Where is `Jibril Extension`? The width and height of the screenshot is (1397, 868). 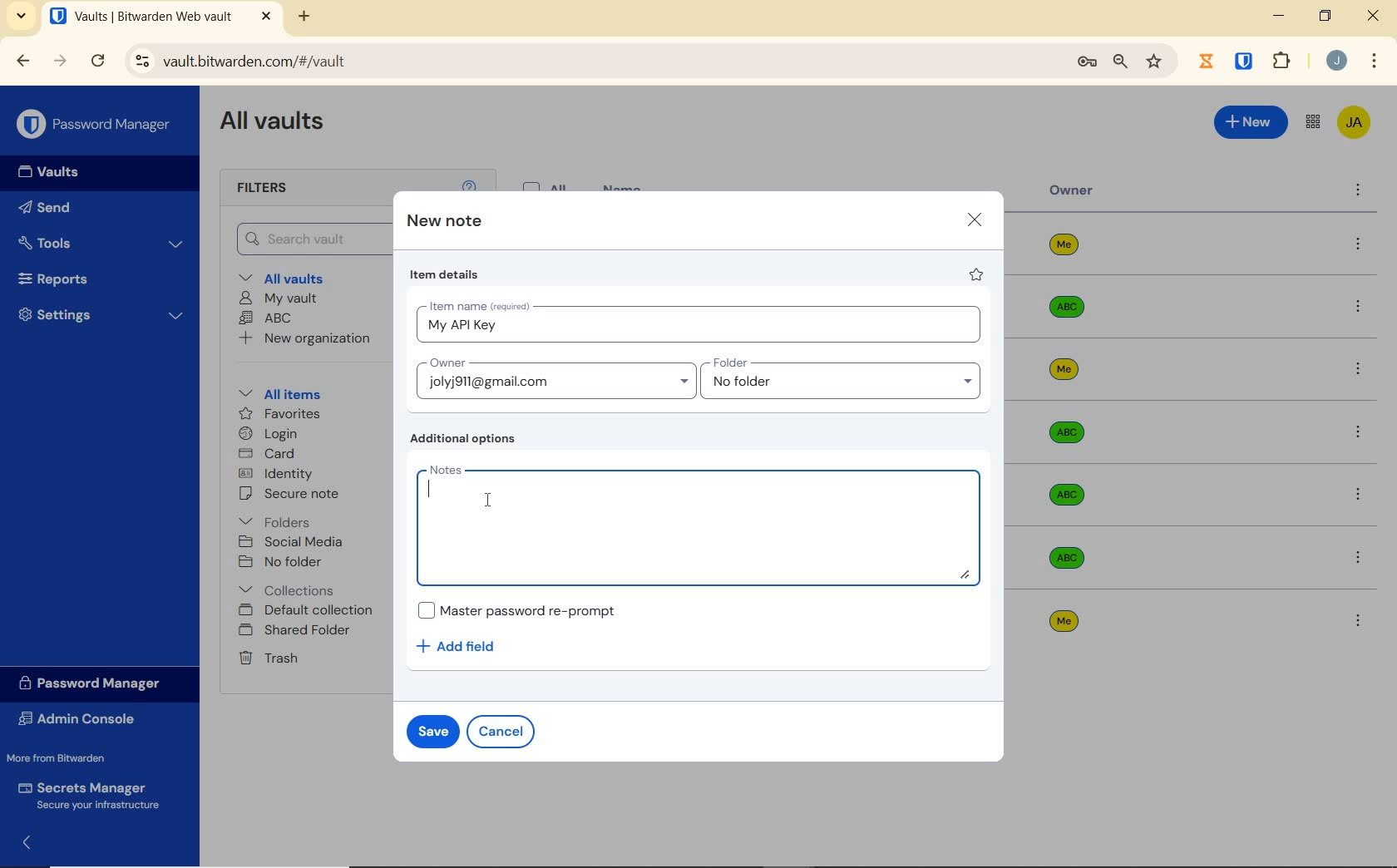
Jibril Extension is located at coordinates (1208, 61).